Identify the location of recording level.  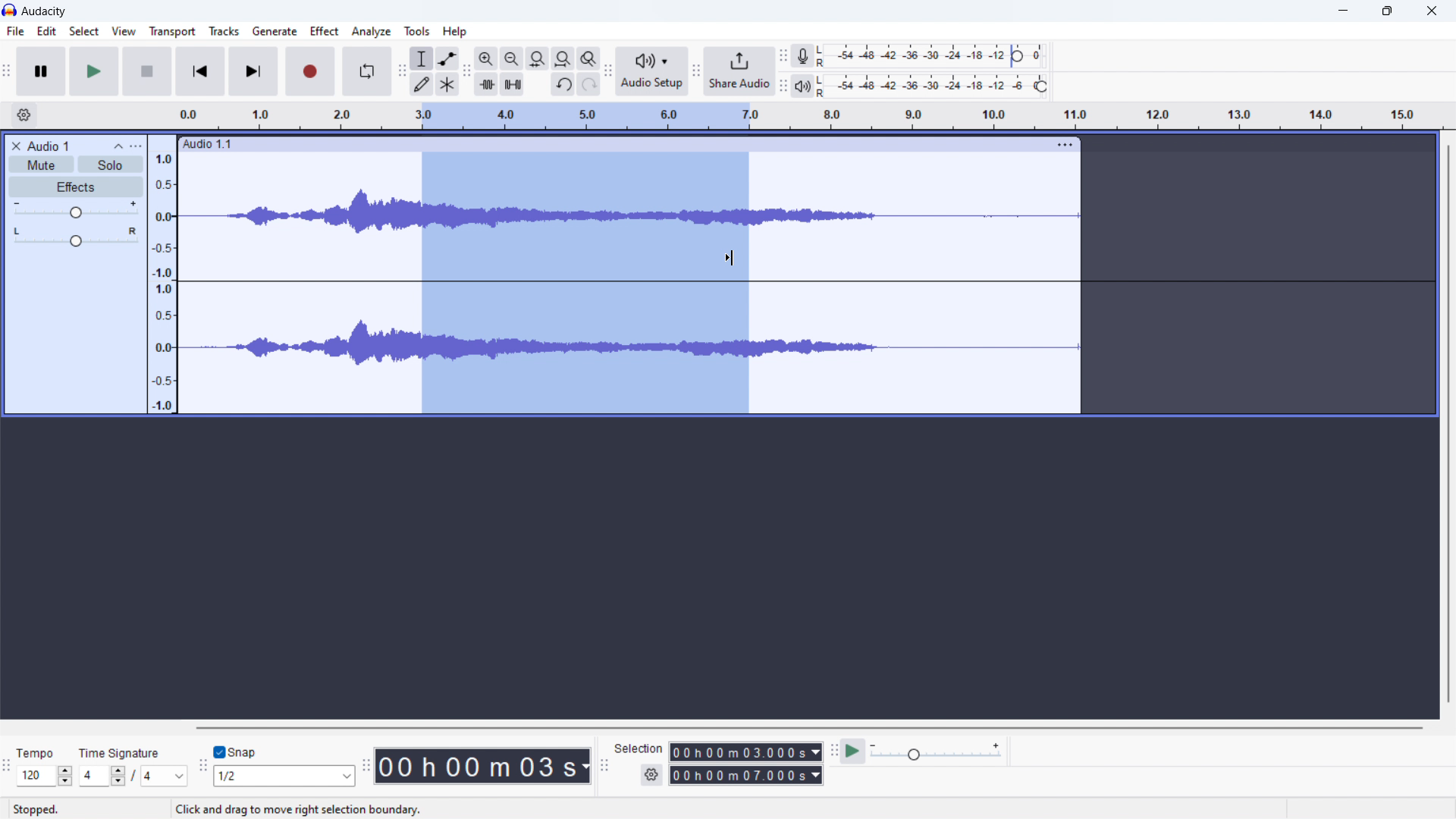
(934, 57).